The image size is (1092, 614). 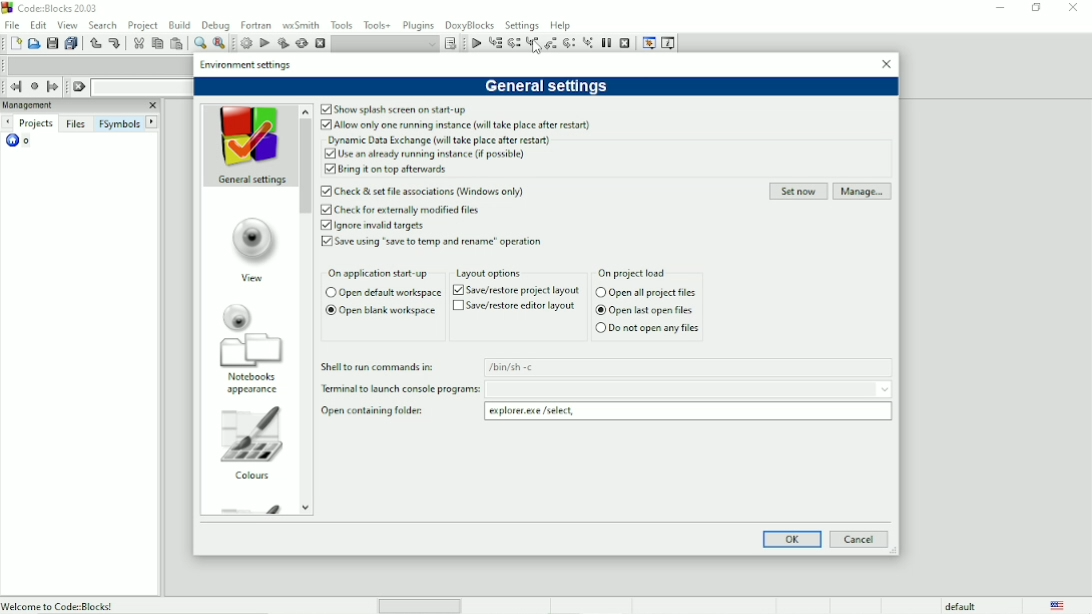 What do you see at coordinates (342, 25) in the screenshot?
I see `Tools` at bounding box center [342, 25].